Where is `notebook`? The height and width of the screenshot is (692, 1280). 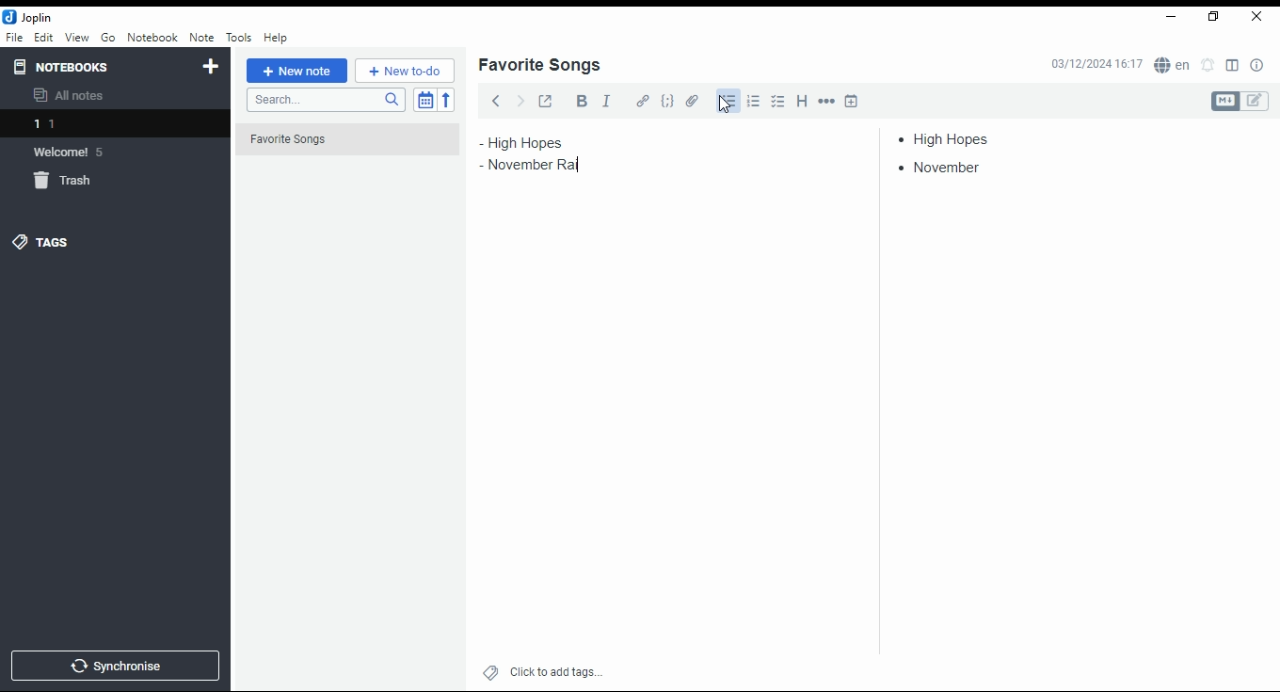
notebook is located at coordinates (152, 37).